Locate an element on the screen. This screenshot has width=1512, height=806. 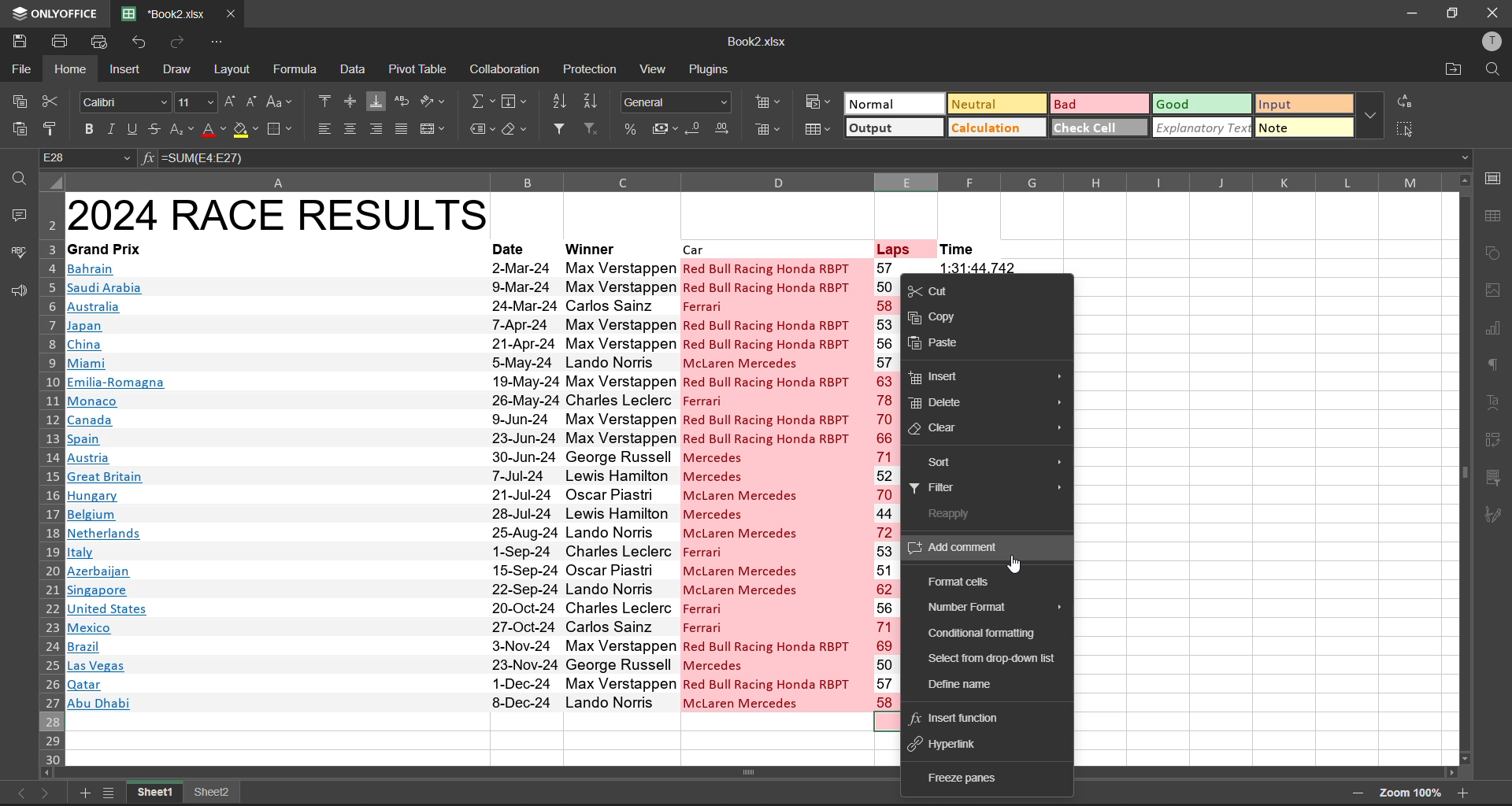
redo is located at coordinates (180, 40).